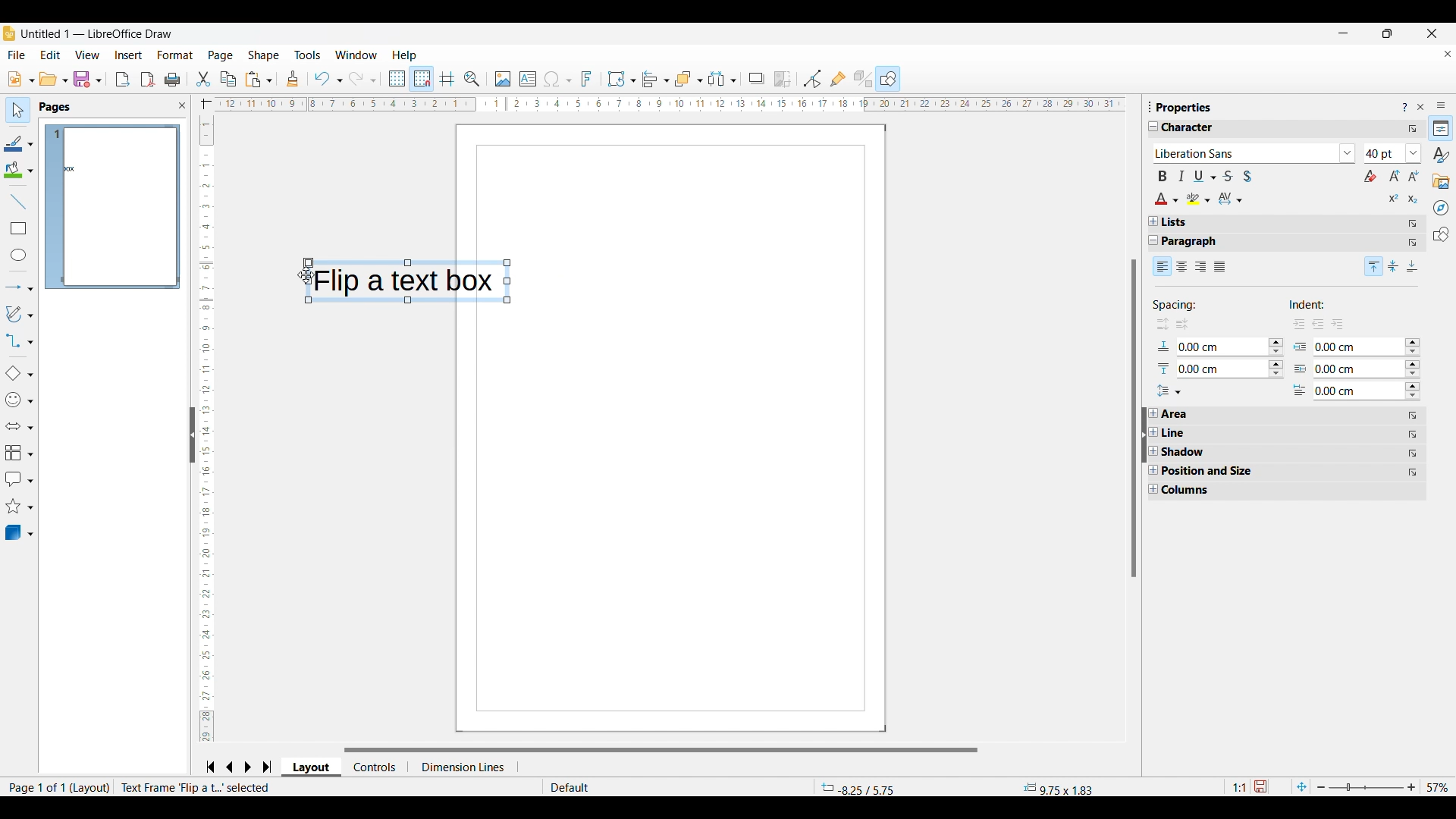 The height and width of the screenshot is (819, 1456). Describe the element at coordinates (859, 787) in the screenshot. I see `-8.25/5.75` at that location.